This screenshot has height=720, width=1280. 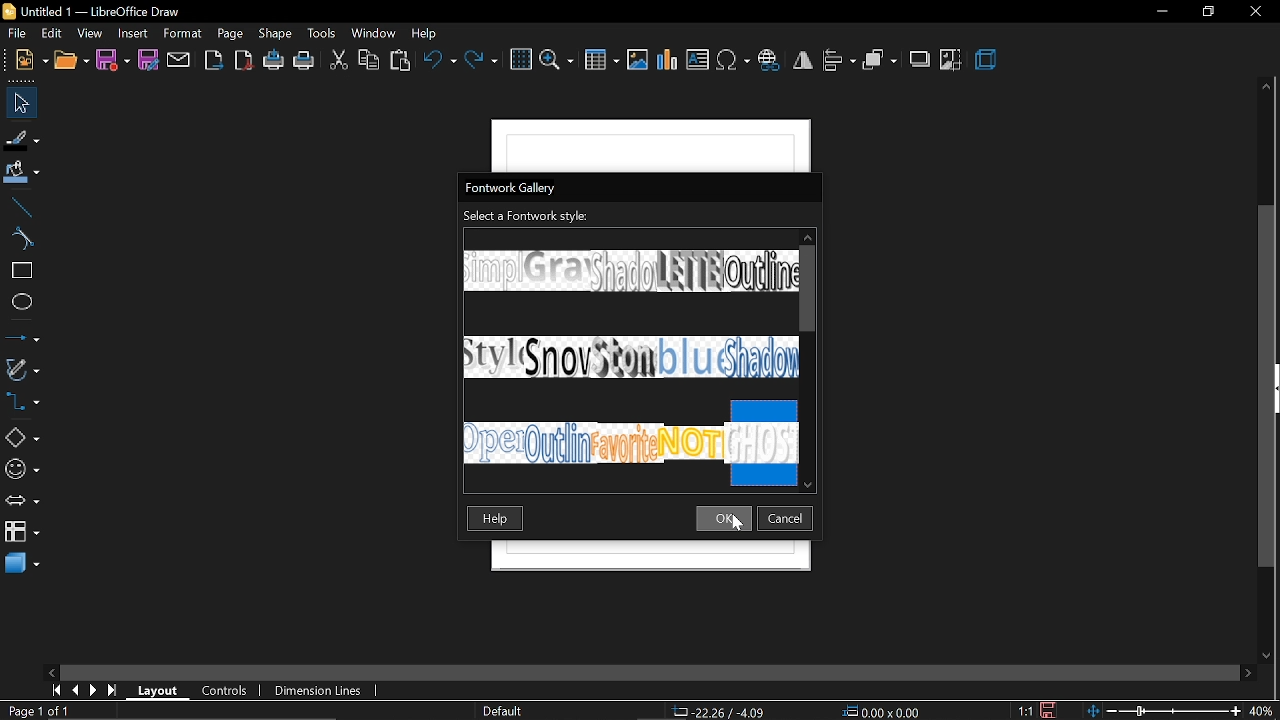 I want to click on ellipse, so click(x=20, y=302).